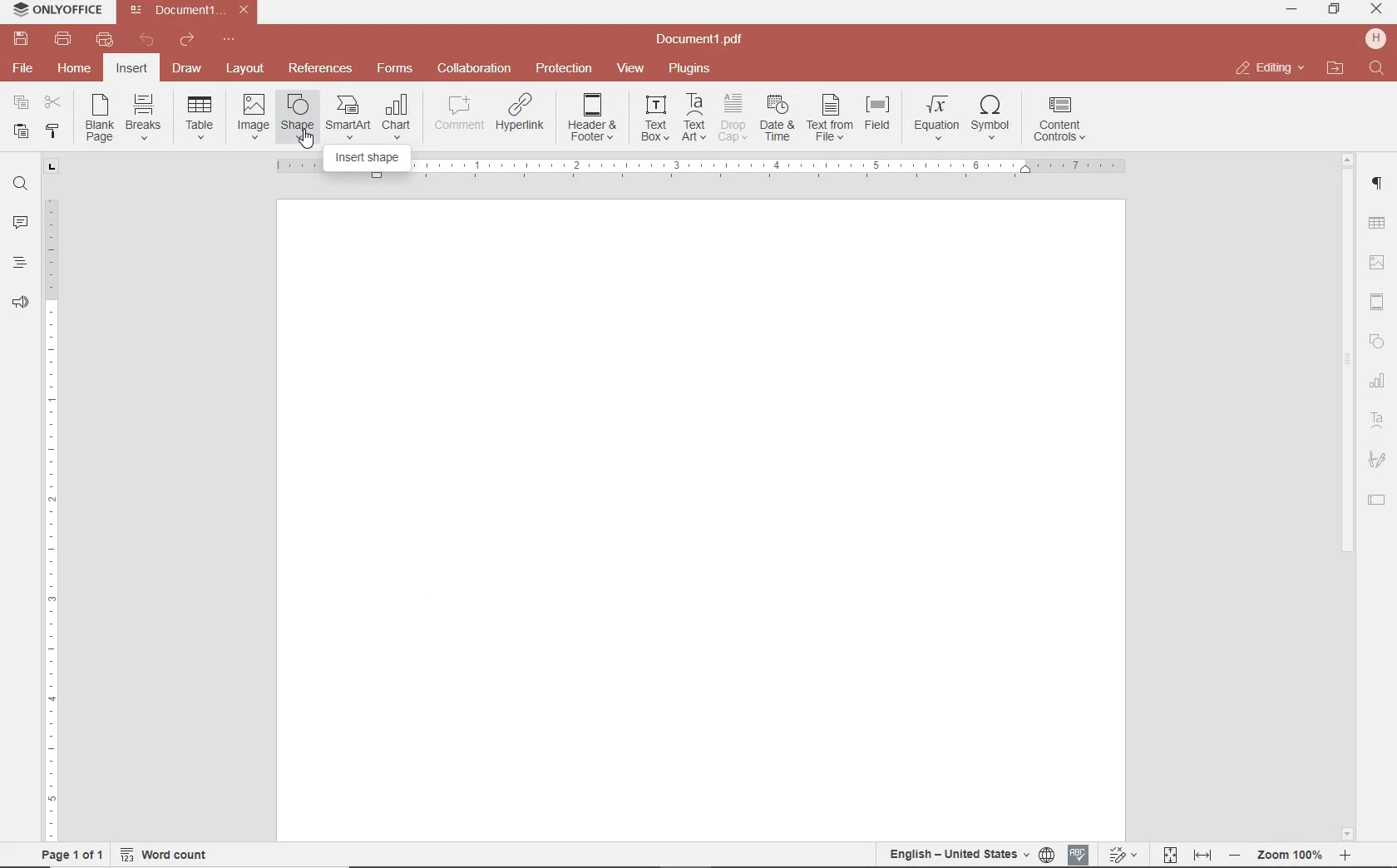 Image resolution: width=1397 pixels, height=868 pixels. Describe the element at coordinates (1378, 264) in the screenshot. I see `IMAGE` at that location.